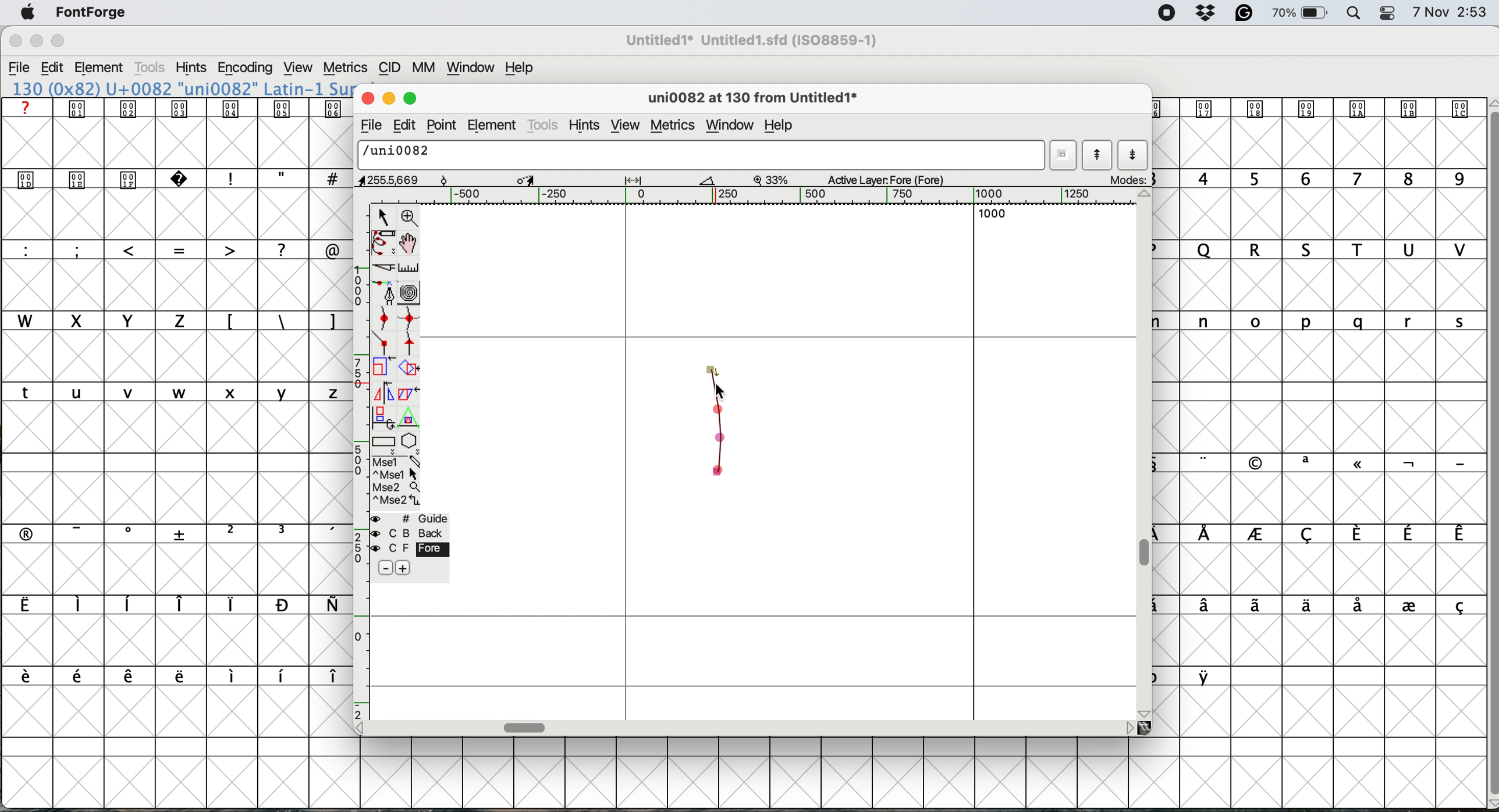 The image size is (1499, 812). I want to click on more options, so click(395, 482).